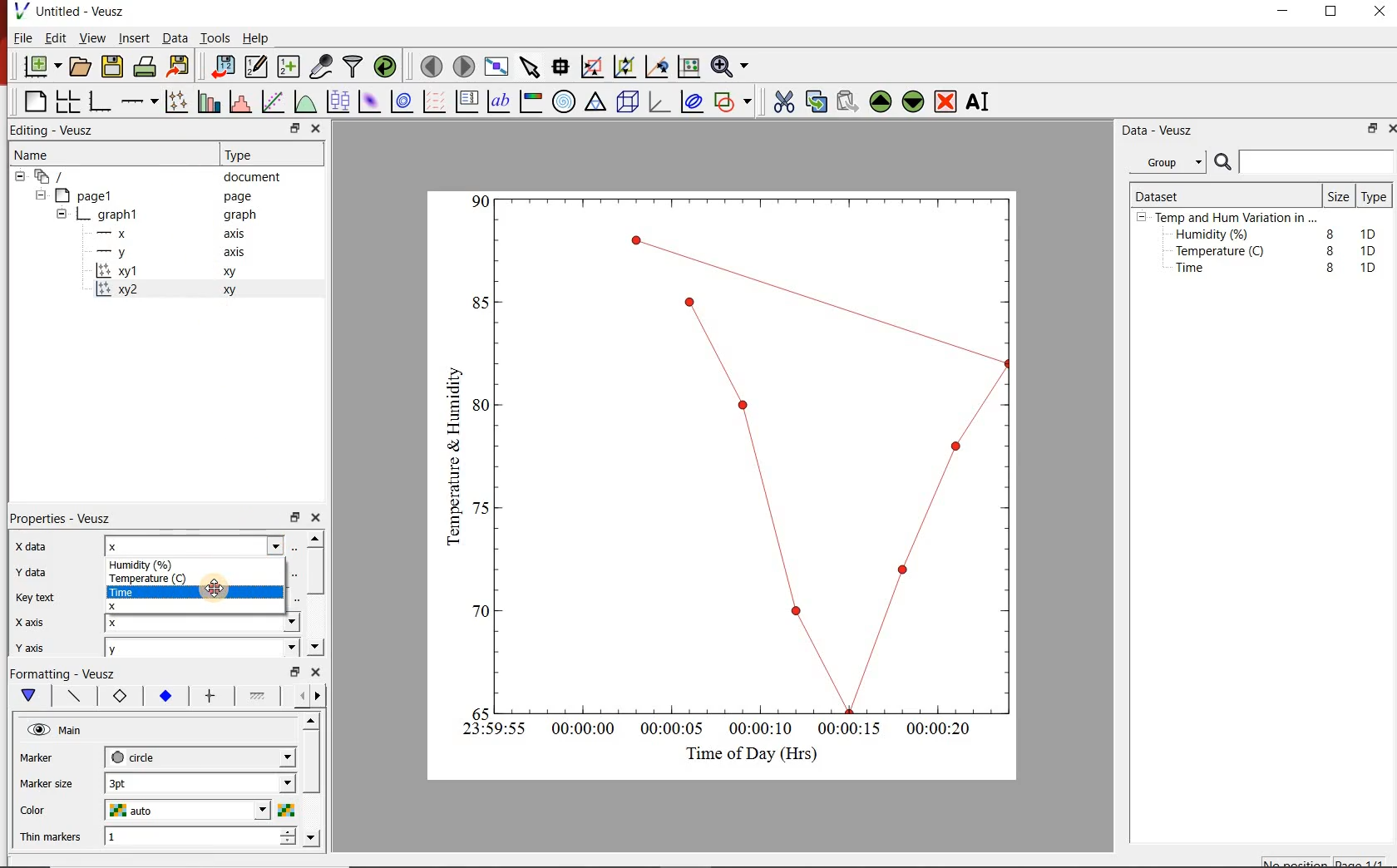 The width and height of the screenshot is (1397, 868). Describe the element at coordinates (321, 518) in the screenshot. I see `close` at that location.